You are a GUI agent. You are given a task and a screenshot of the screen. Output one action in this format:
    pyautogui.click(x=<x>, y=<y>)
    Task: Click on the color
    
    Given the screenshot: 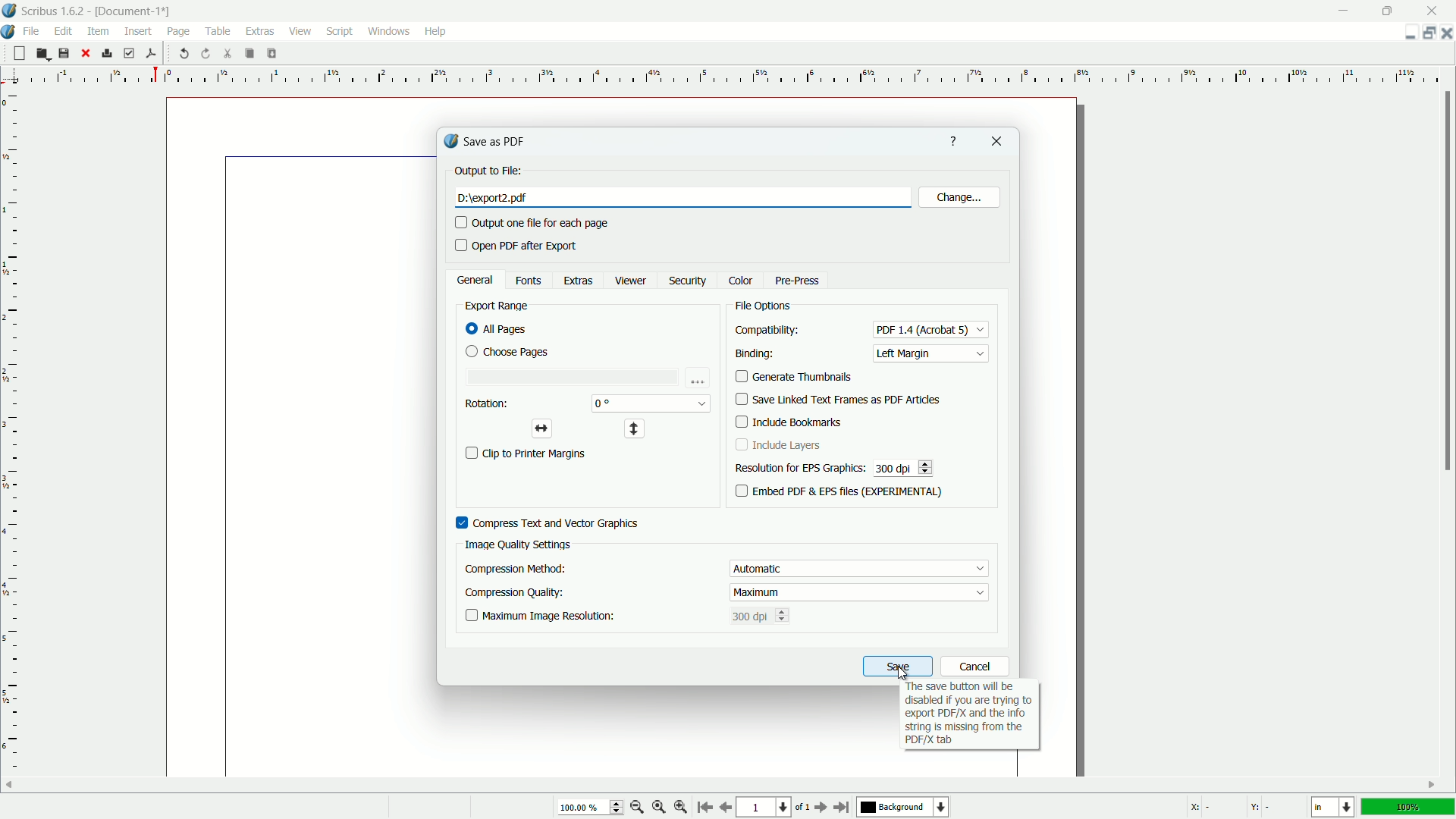 What is the action you would take?
    pyautogui.click(x=742, y=281)
    